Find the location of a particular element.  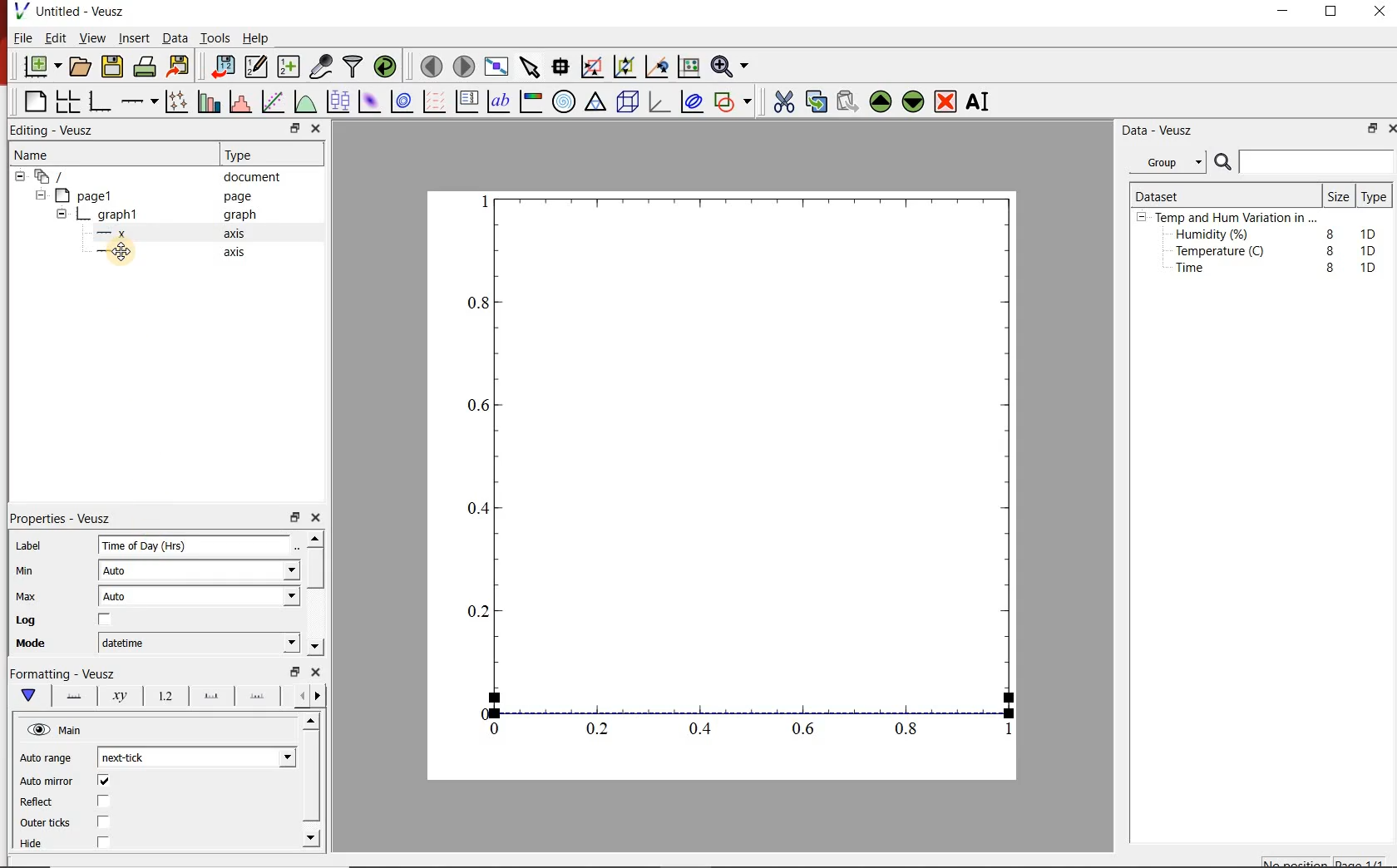

Formatting - Veusz is located at coordinates (67, 675).